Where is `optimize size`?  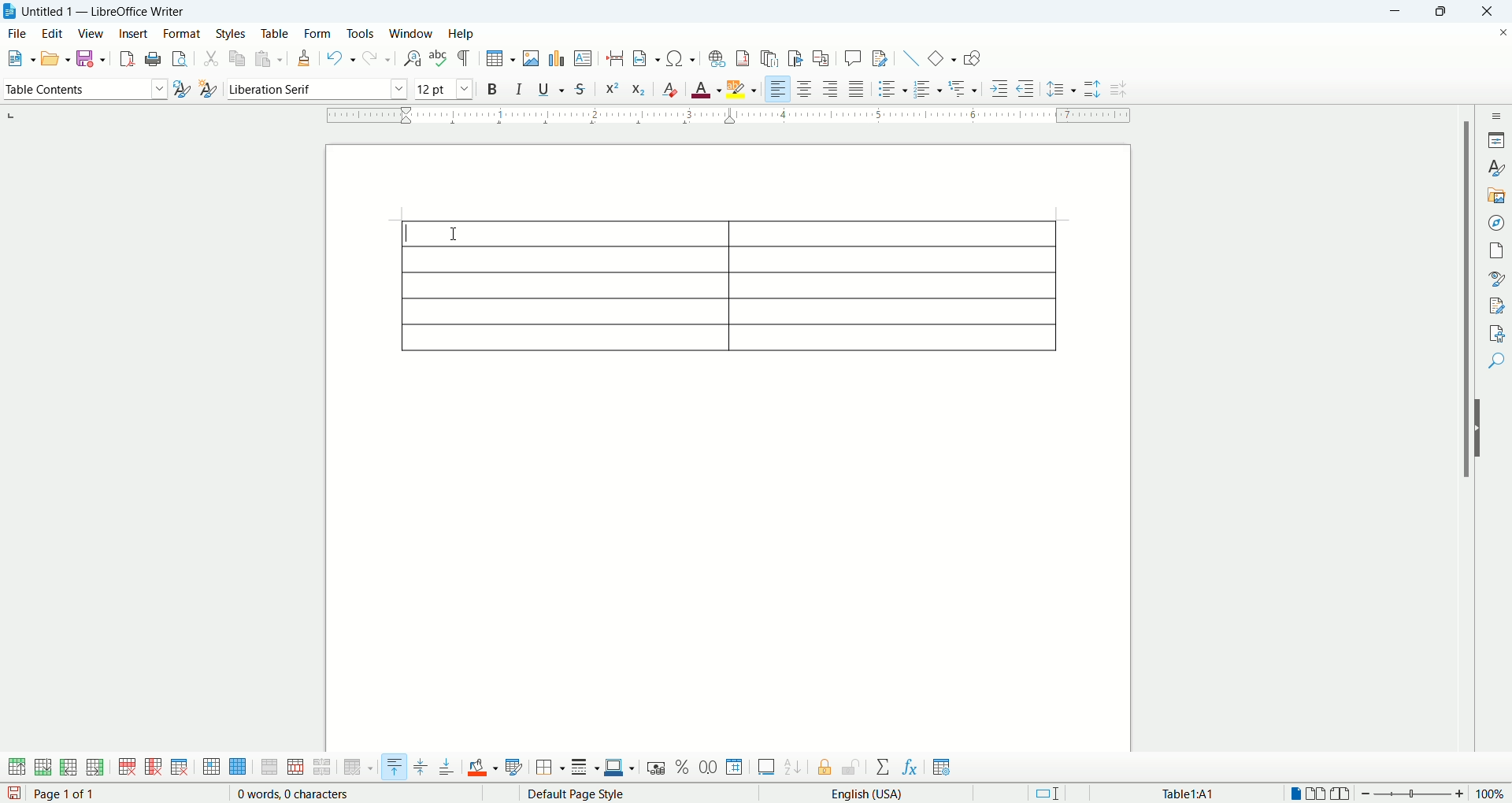
optimize size is located at coordinates (359, 768).